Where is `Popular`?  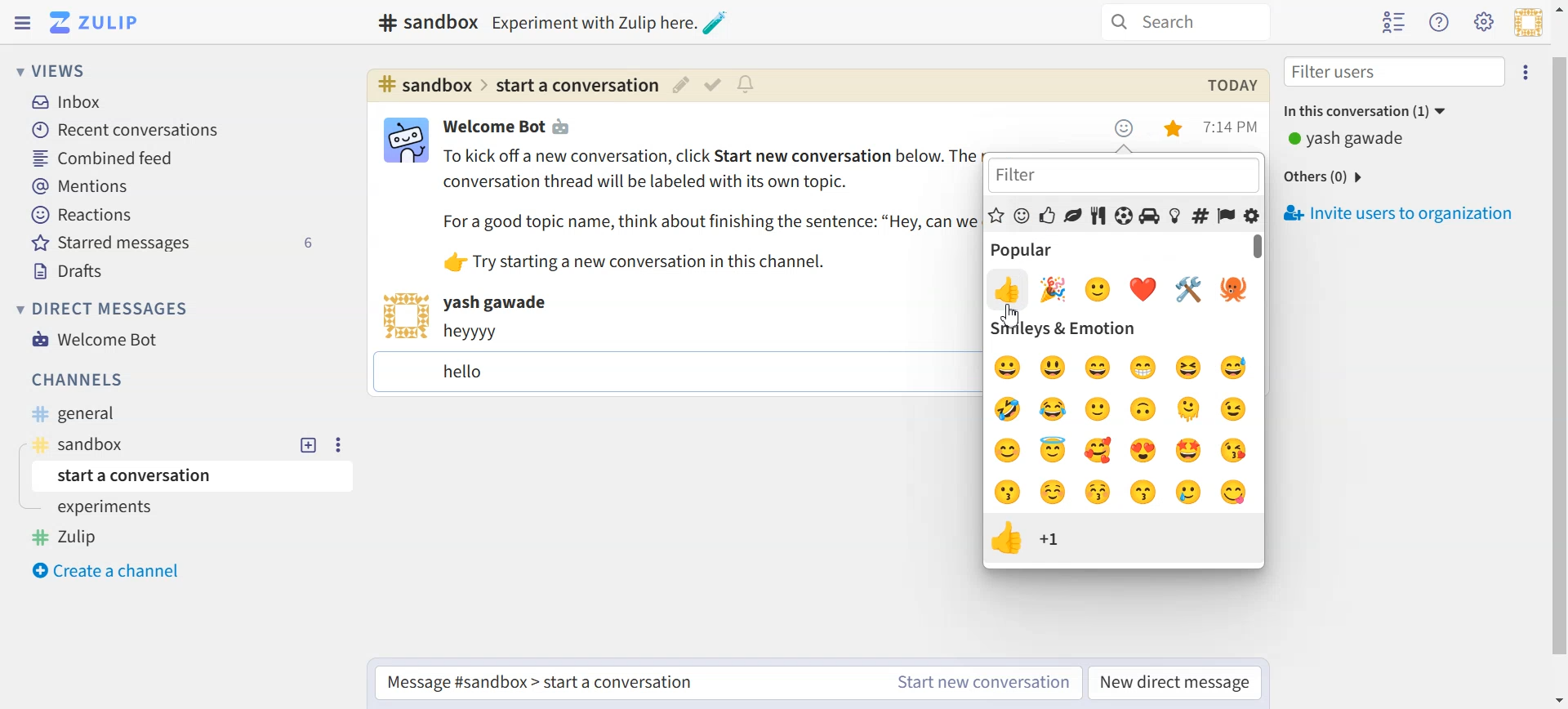 Popular is located at coordinates (996, 216).